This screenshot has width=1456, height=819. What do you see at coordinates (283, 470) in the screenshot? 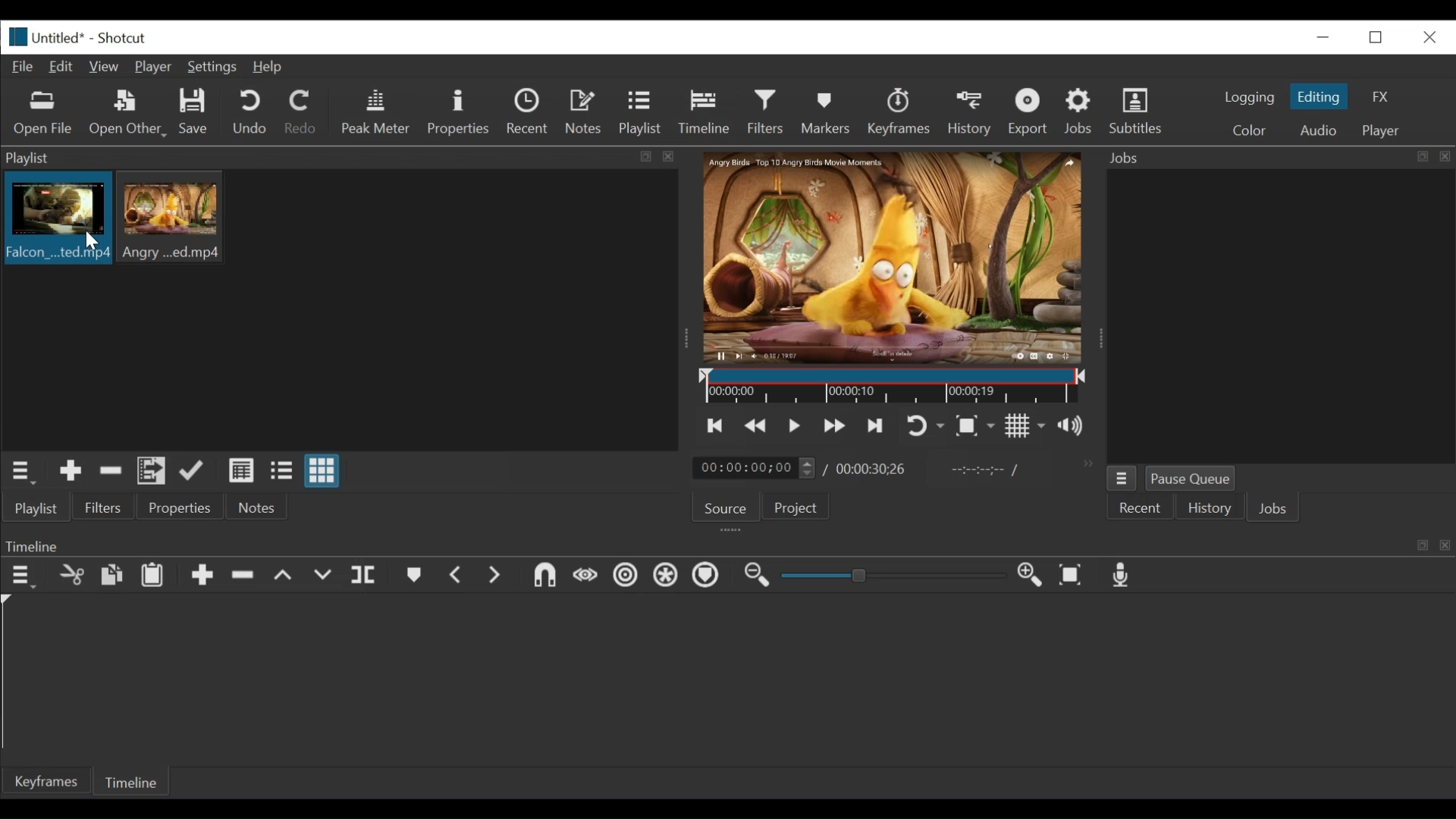
I see `view as files` at bounding box center [283, 470].